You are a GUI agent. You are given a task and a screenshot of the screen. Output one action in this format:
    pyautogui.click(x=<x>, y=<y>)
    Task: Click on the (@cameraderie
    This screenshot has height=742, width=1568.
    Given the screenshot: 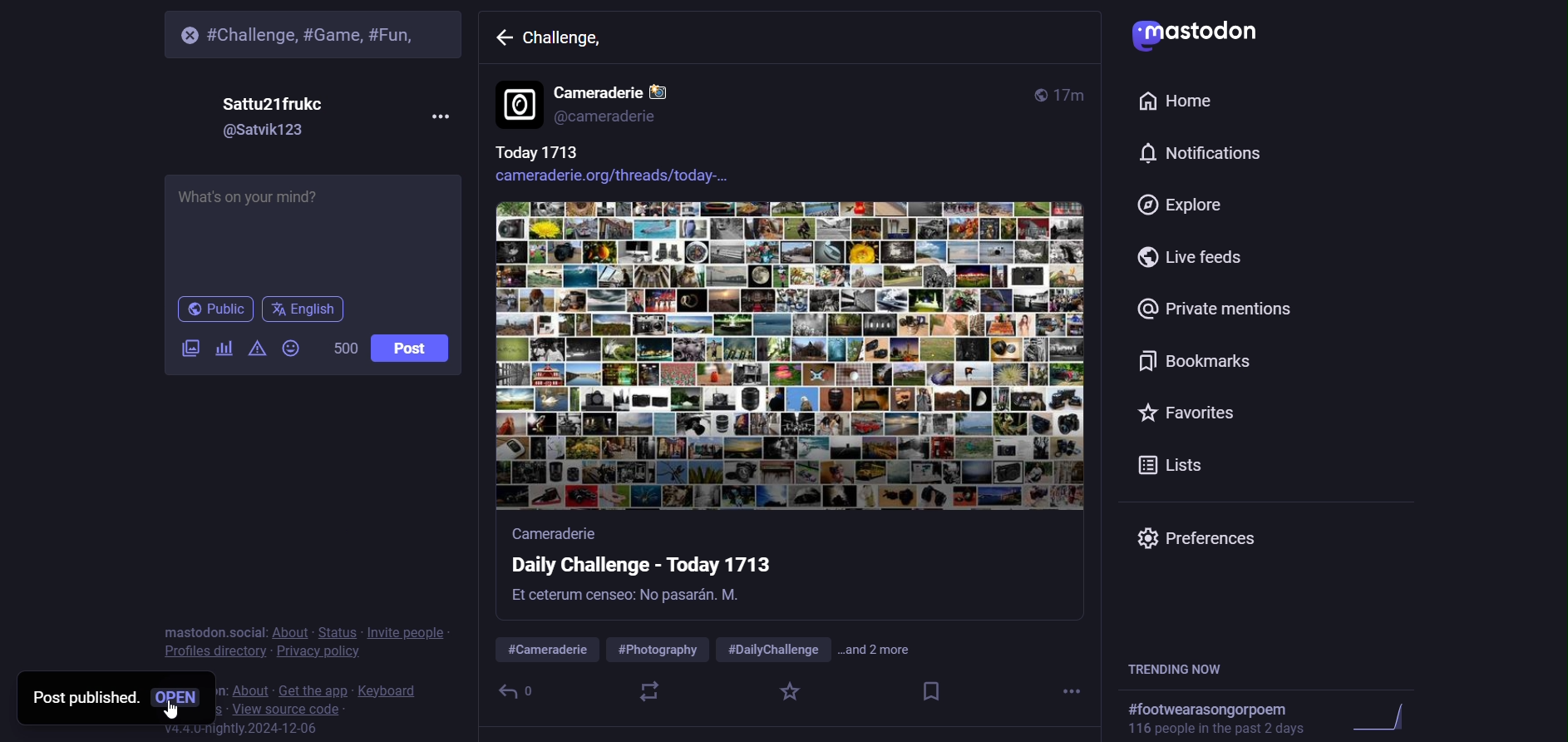 What is the action you would take?
    pyautogui.click(x=614, y=117)
    